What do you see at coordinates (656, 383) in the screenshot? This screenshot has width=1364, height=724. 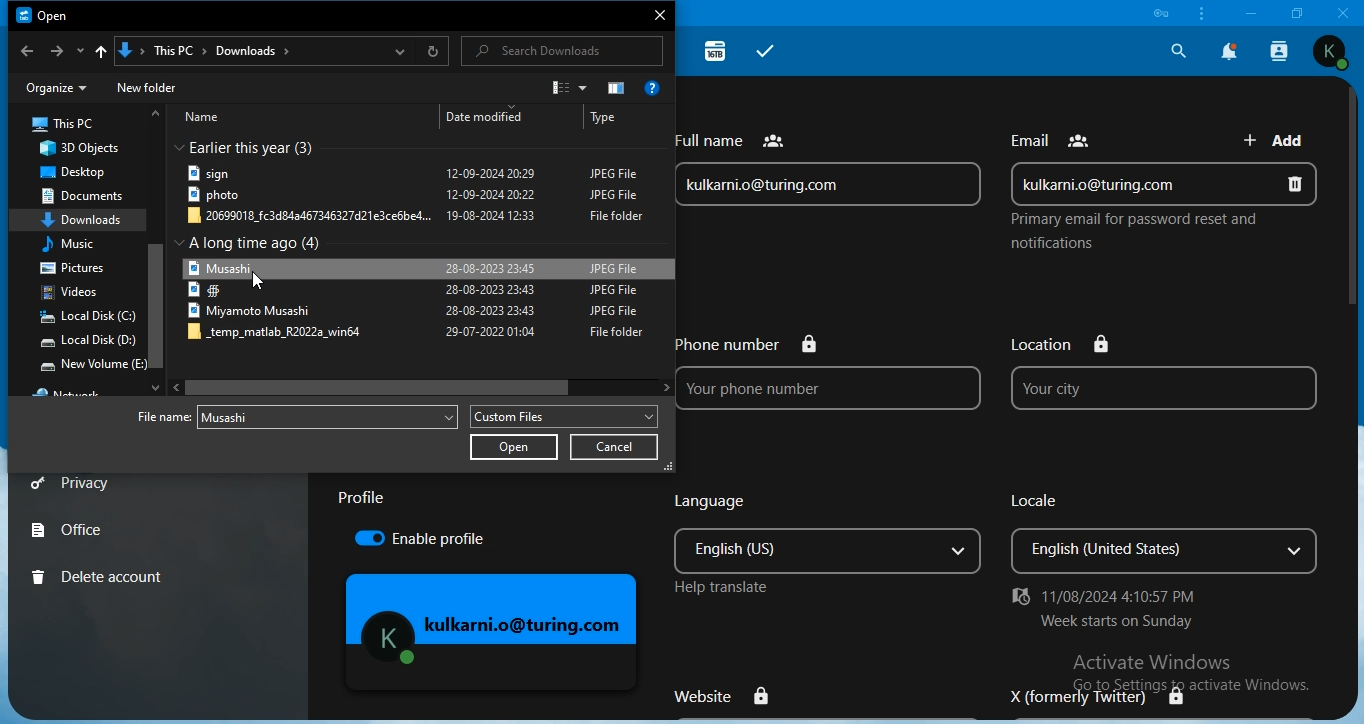 I see `Right` at bounding box center [656, 383].